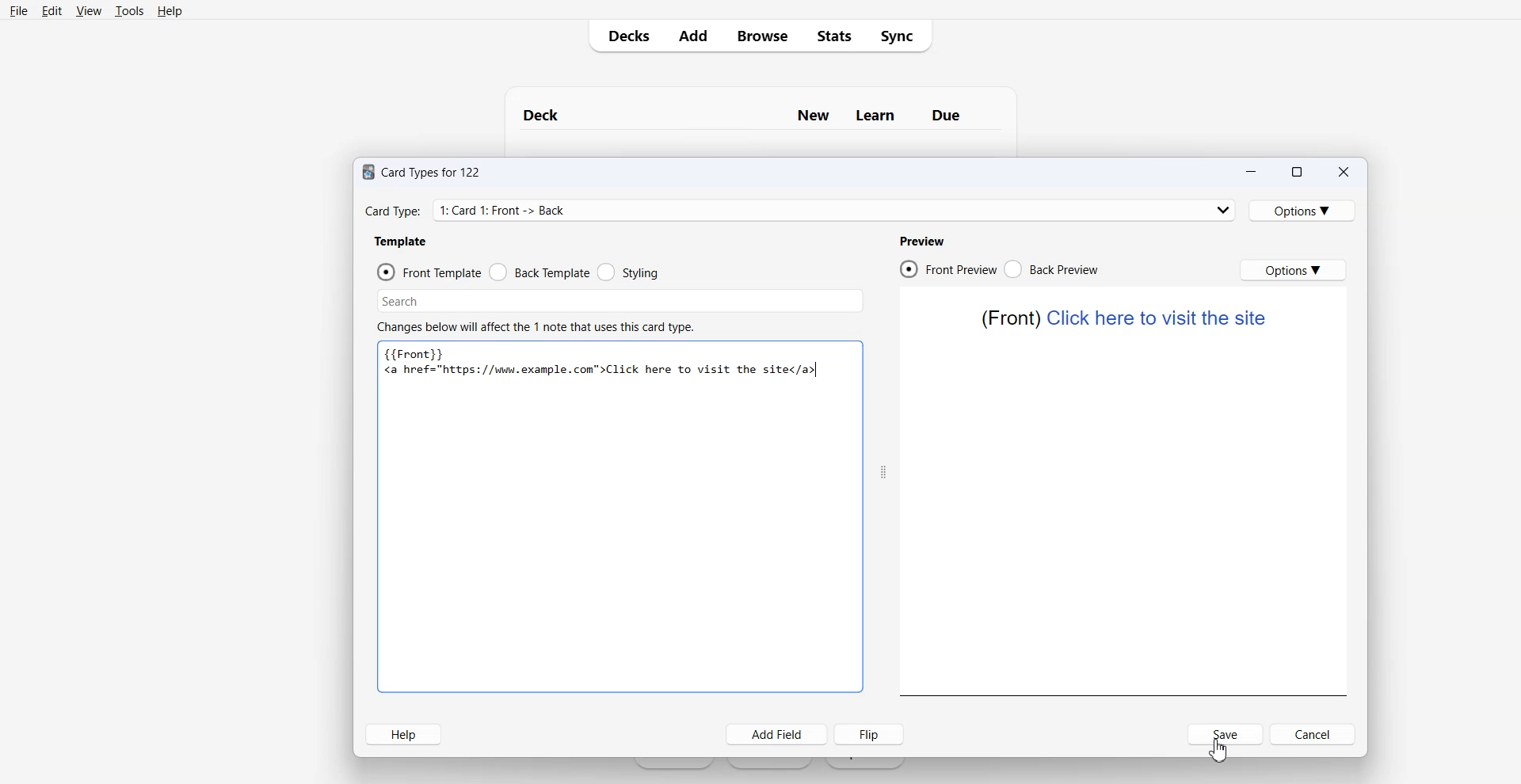 The width and height of the screenshot is (1521, 784). Describe the element at coordinates (902, 36) in the screenshot. I see `Sync` at that location.